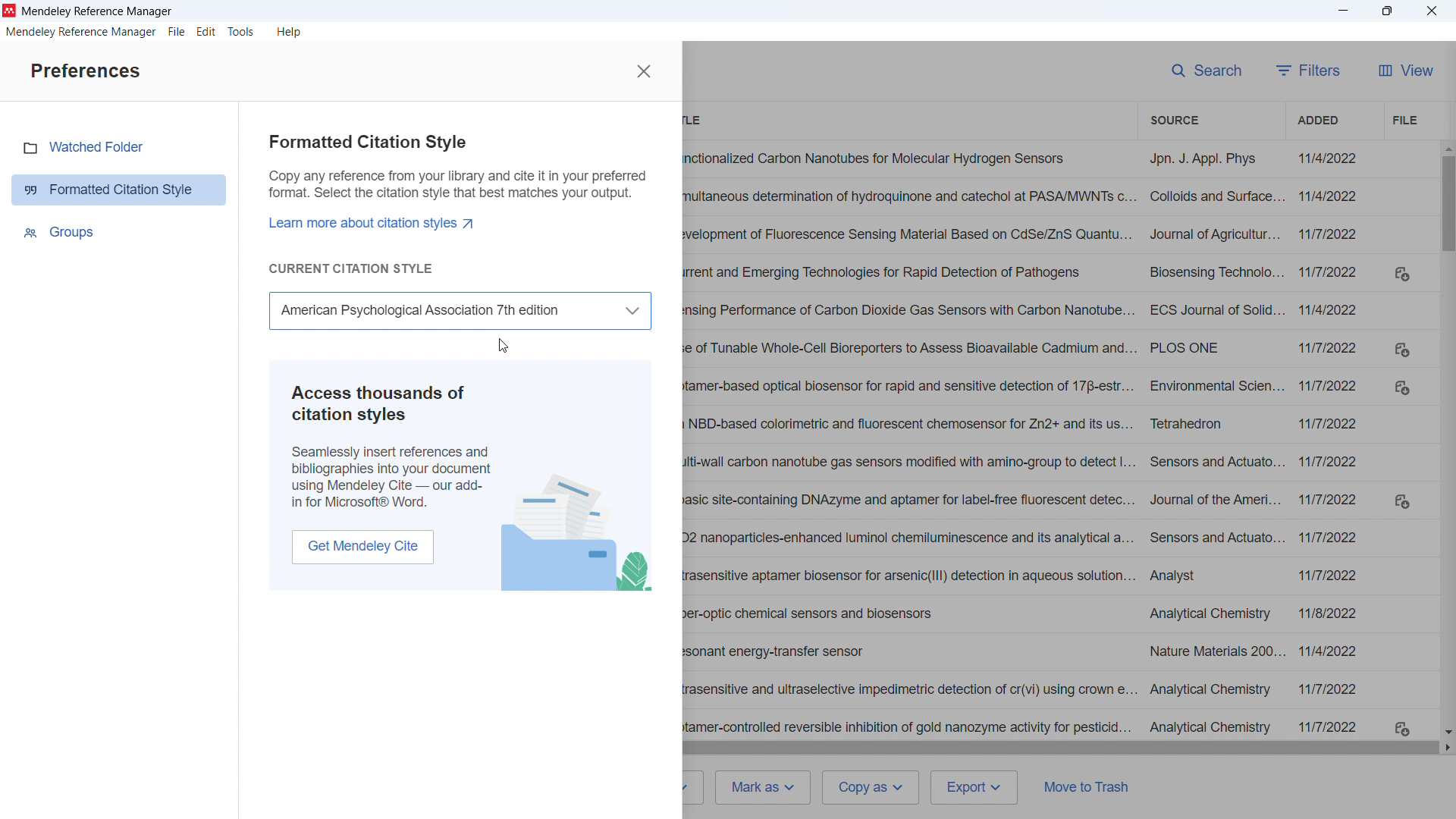 Image resolution: width=1456 pixels, height=819 pixels. I want to click on help, so click(290, 33).